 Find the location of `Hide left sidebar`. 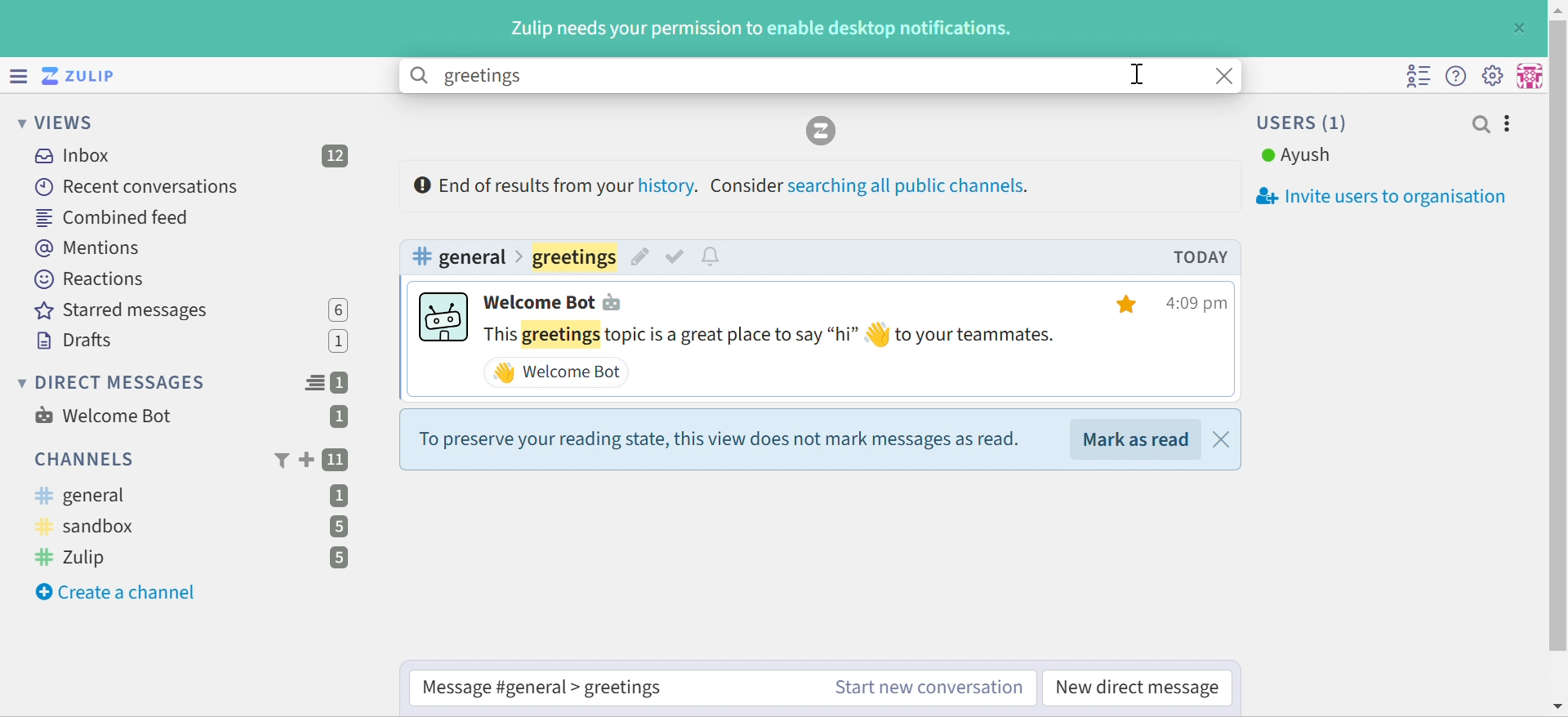

Hide left sidebar is located at coordinates (16, 74).